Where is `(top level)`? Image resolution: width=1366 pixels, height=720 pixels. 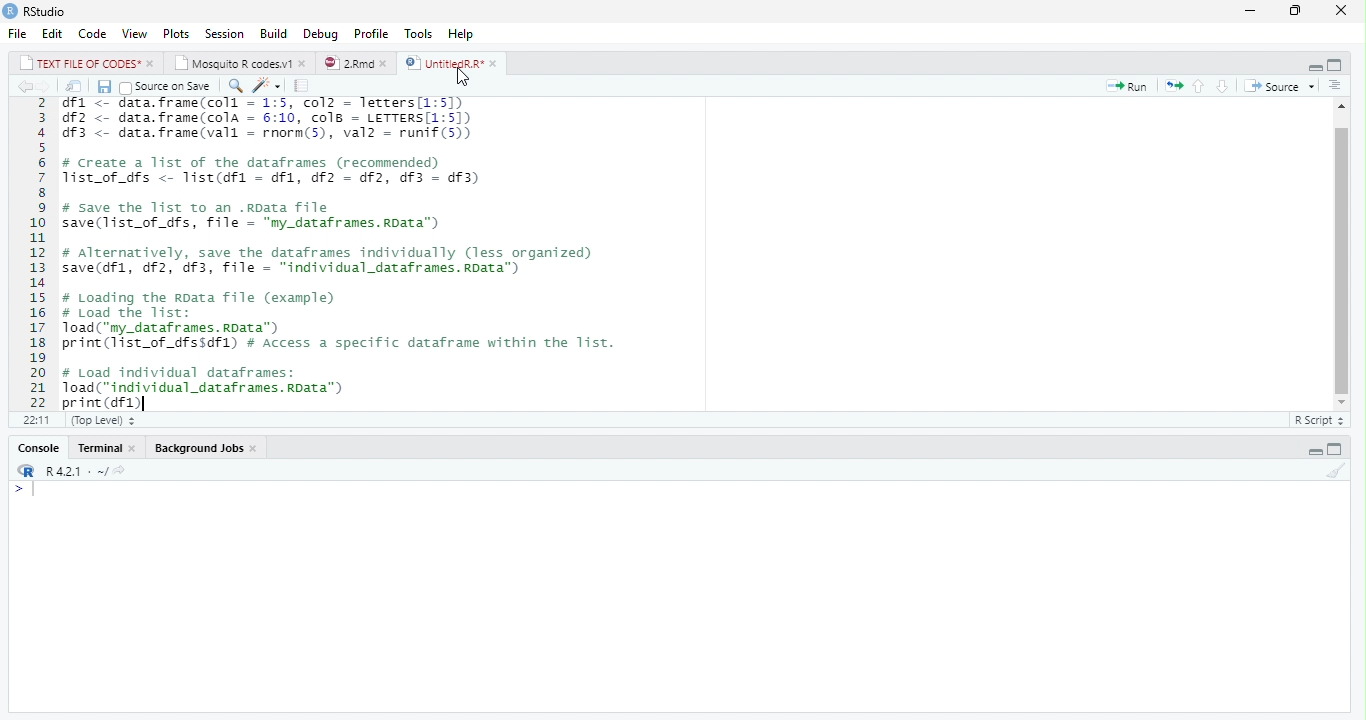
(top level) is located at coordinates (101, 420).